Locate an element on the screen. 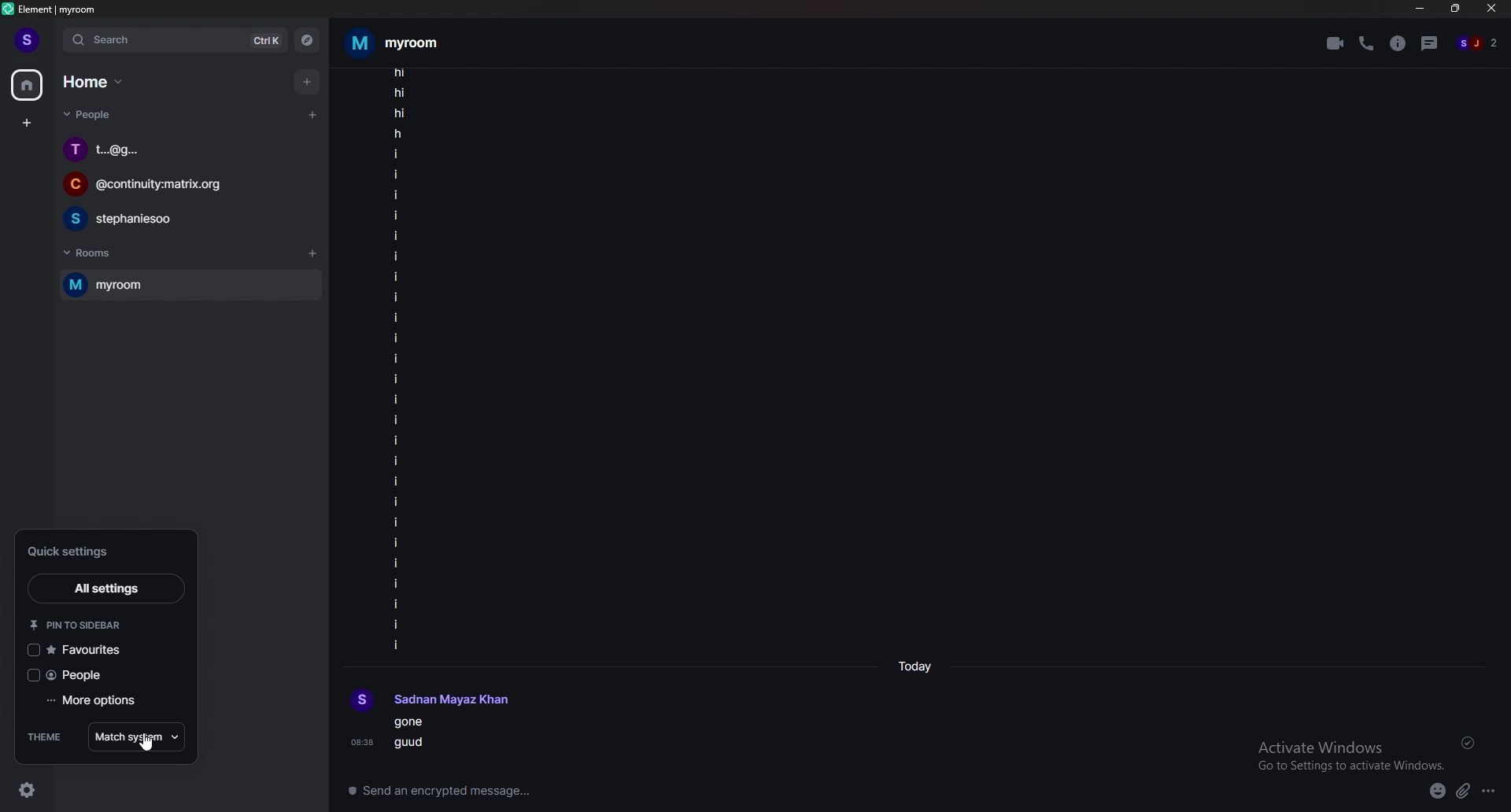 This screenshot has width=1511, height=812. texts is located at coordinates (416, 736).